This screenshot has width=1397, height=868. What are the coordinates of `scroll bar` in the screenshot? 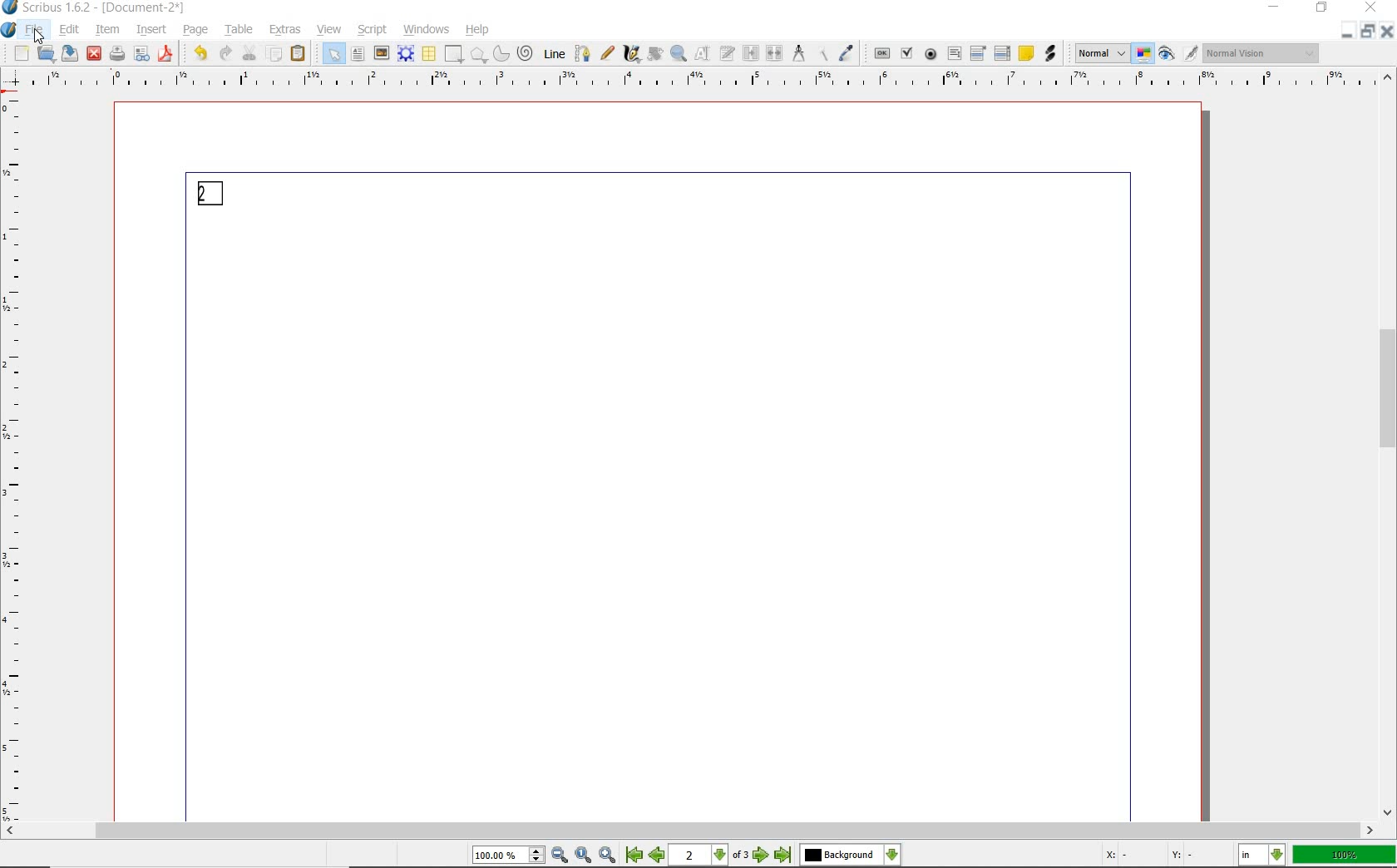 It's located at (689, 832).